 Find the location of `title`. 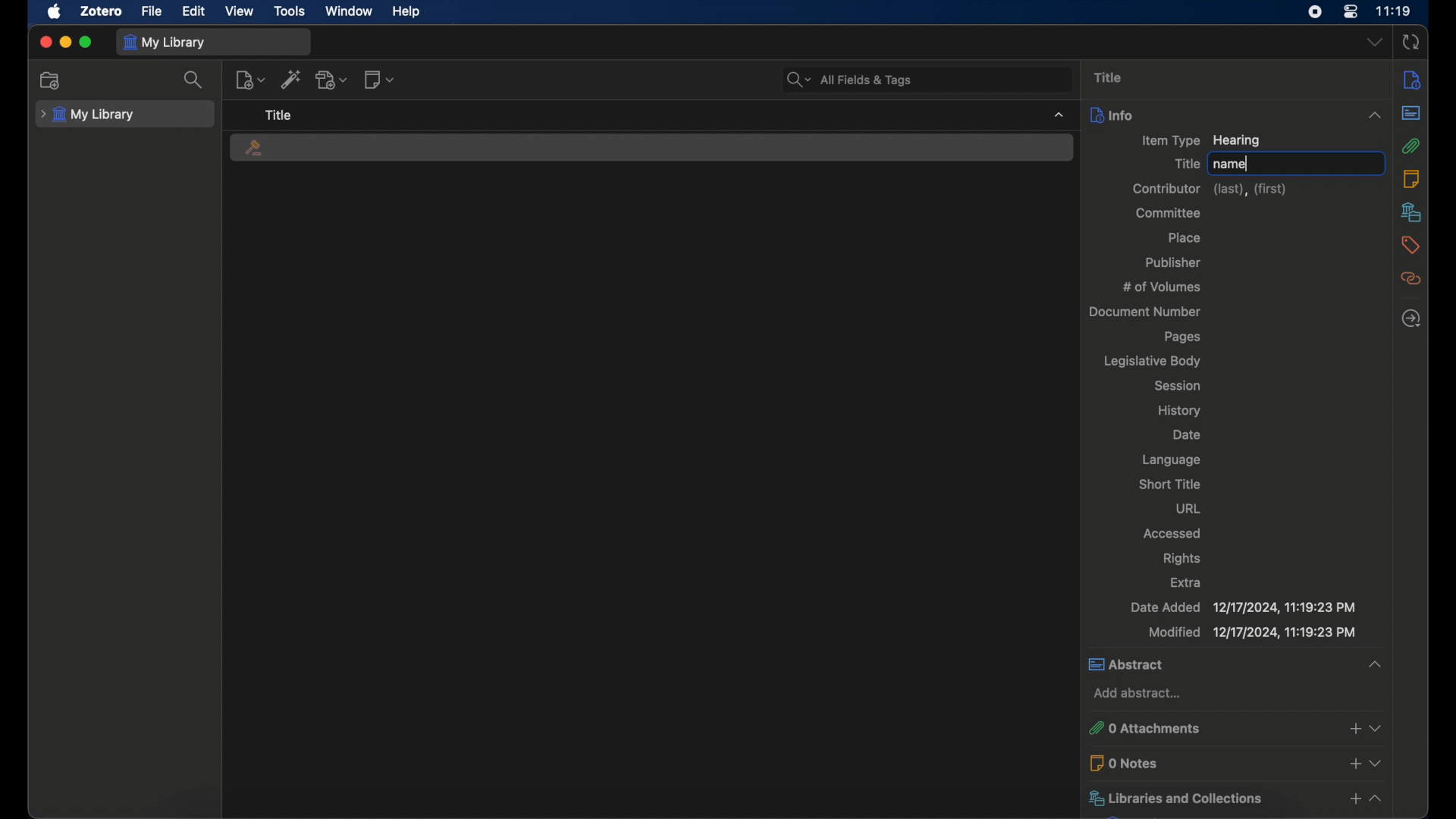

title is located at coordinates (278, 115).